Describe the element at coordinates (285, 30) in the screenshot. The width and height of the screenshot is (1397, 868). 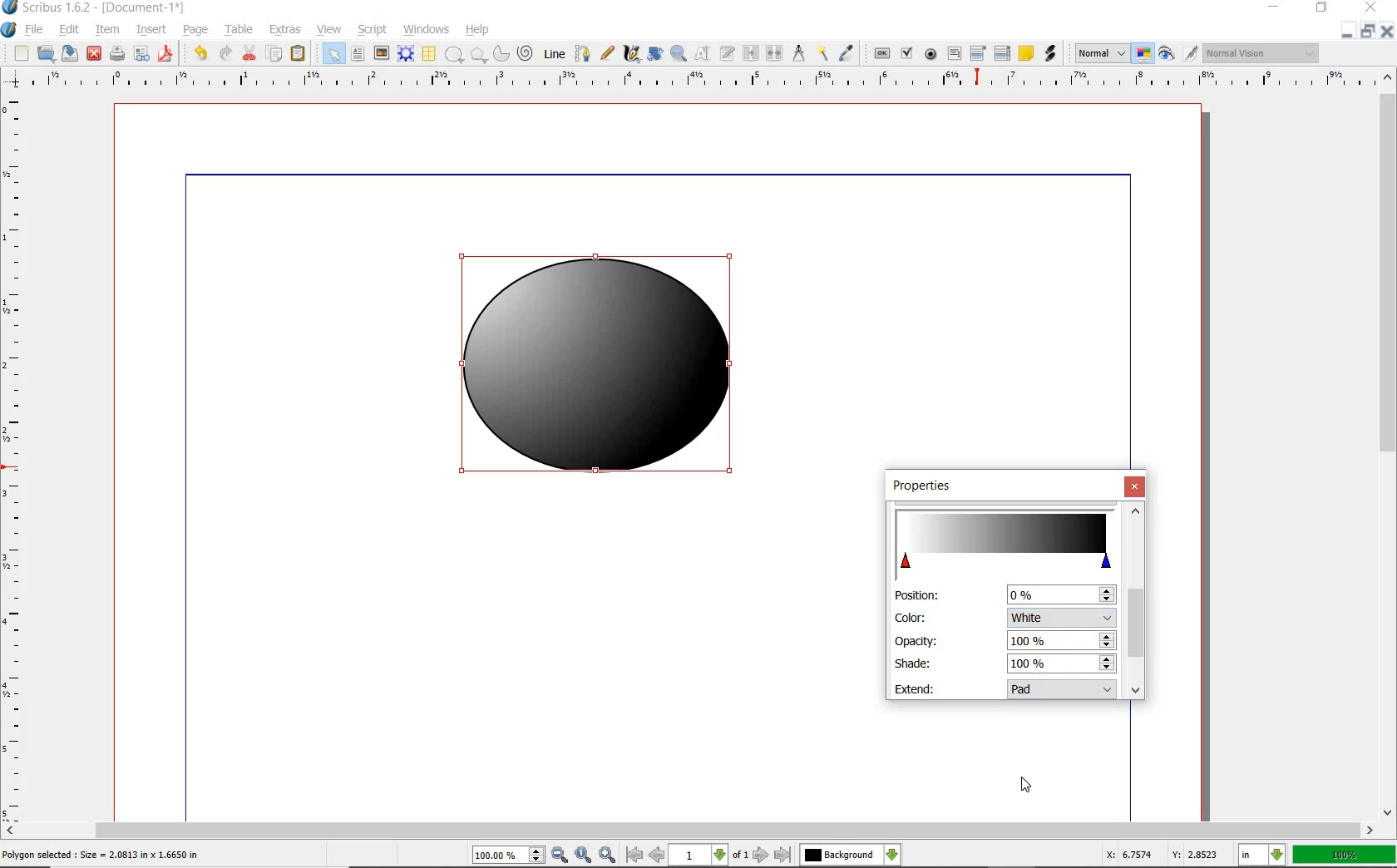
I see `EXTRAS` at that location.